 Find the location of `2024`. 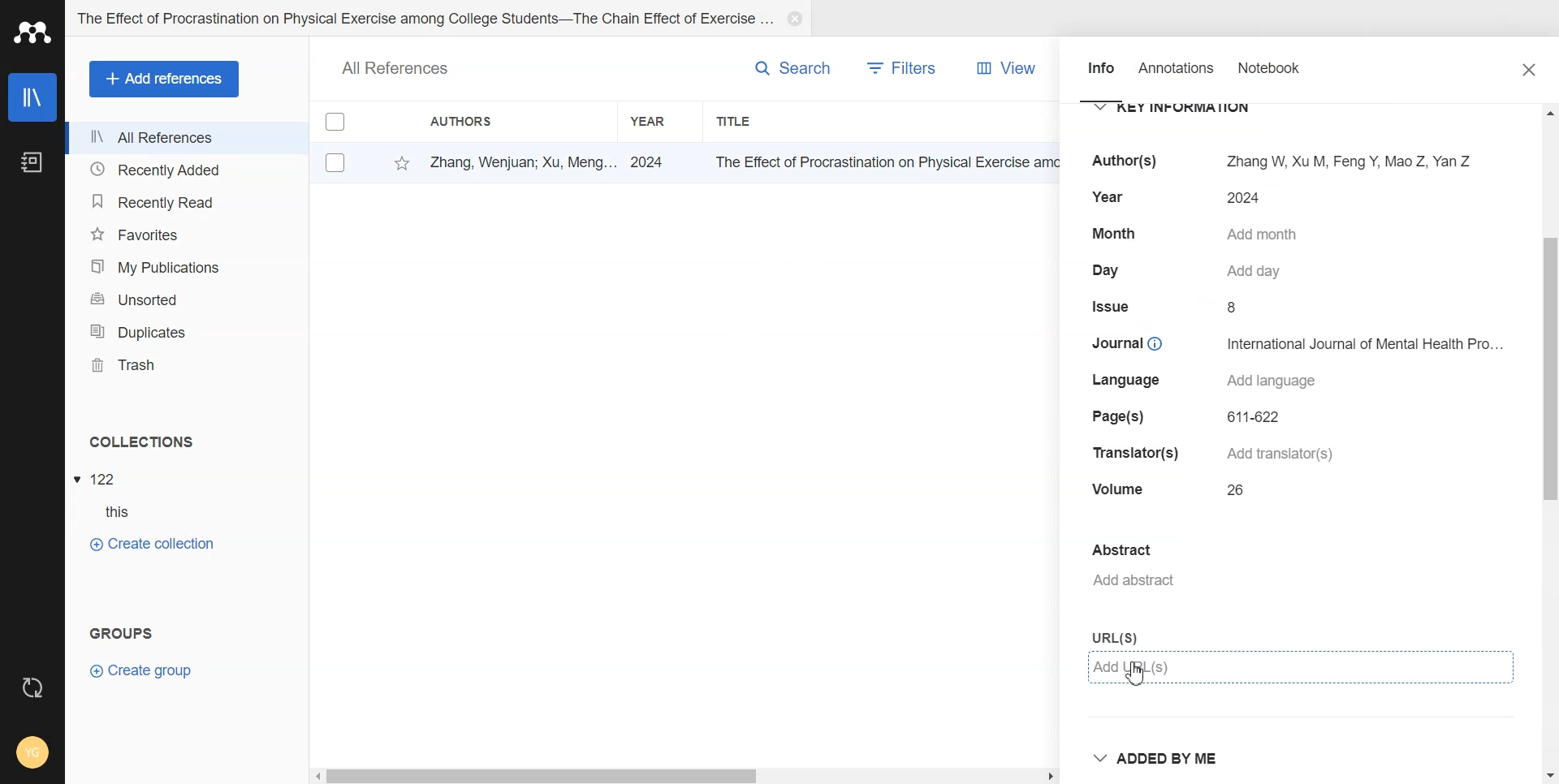

2024 is located at coordinates (648, 162).